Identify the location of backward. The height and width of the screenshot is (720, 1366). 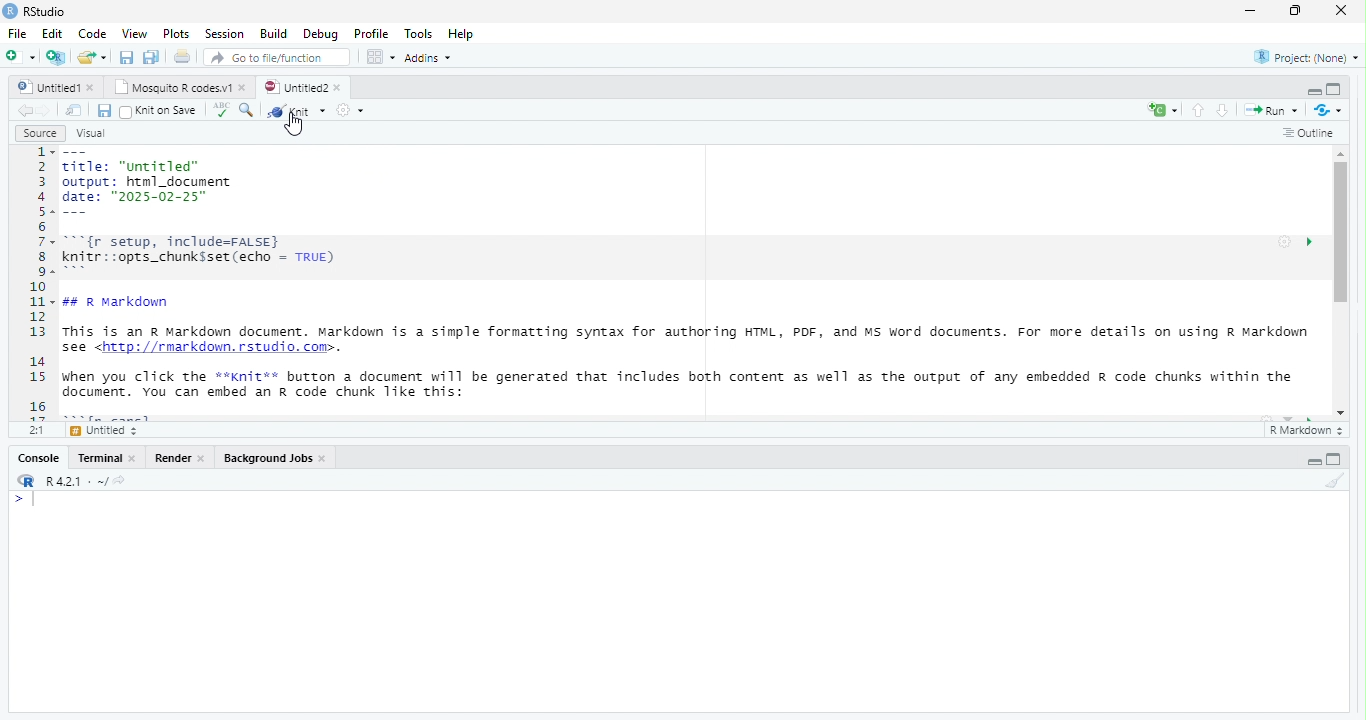
(26, 111).